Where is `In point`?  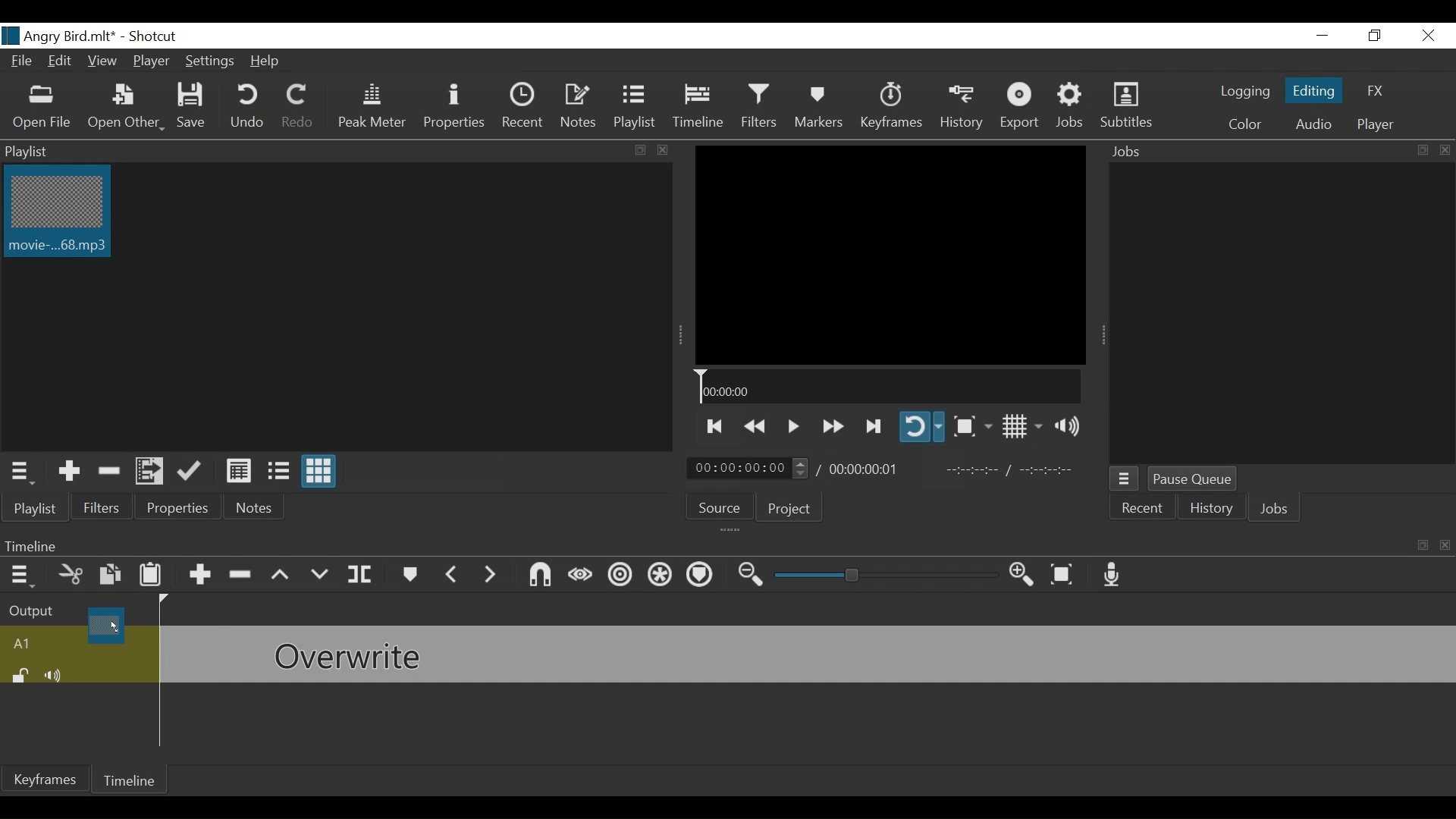 In point is located at coordinates (1009, 472).